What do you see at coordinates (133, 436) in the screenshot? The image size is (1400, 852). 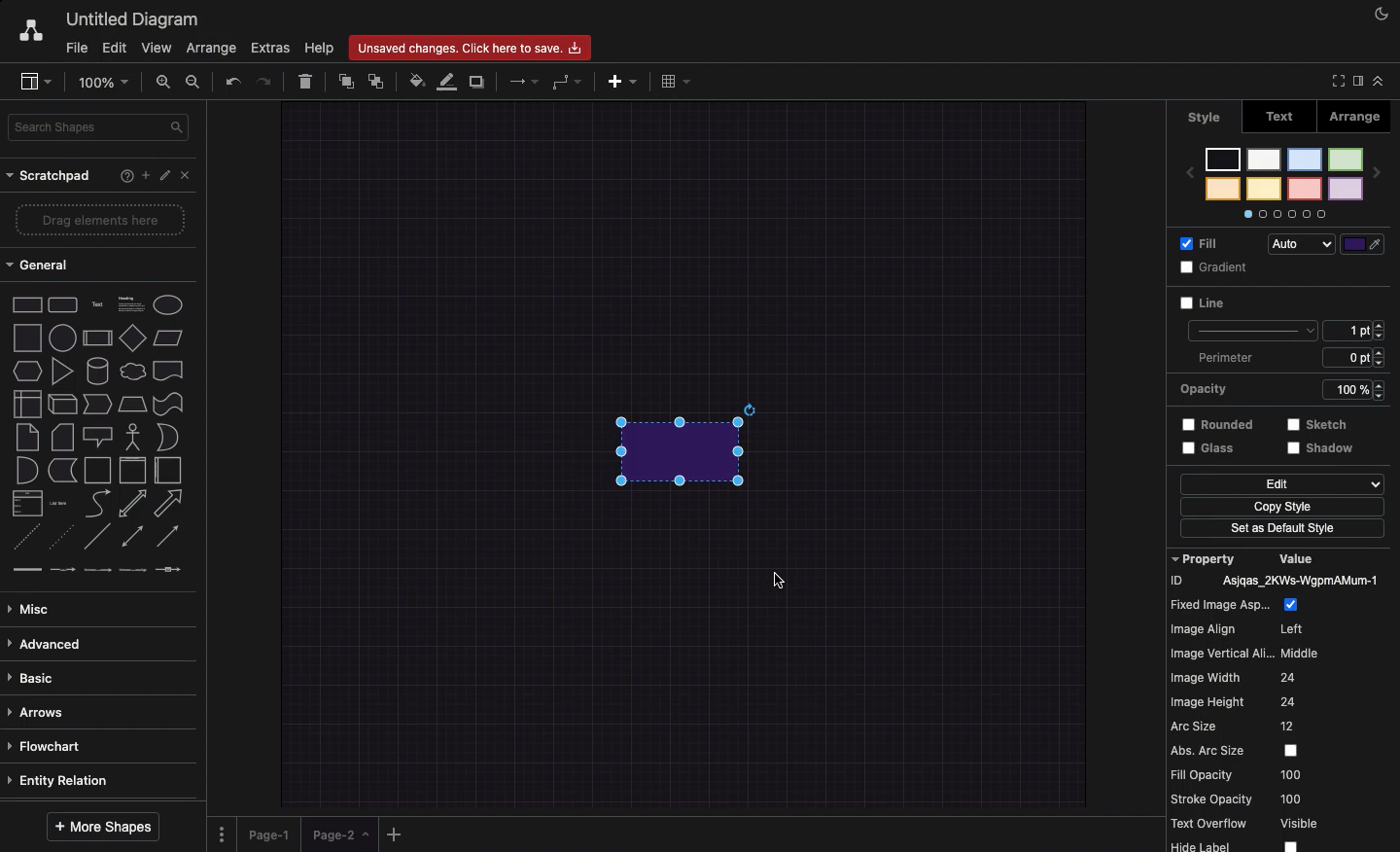 I see `actor` at bounding box center [133, 436].